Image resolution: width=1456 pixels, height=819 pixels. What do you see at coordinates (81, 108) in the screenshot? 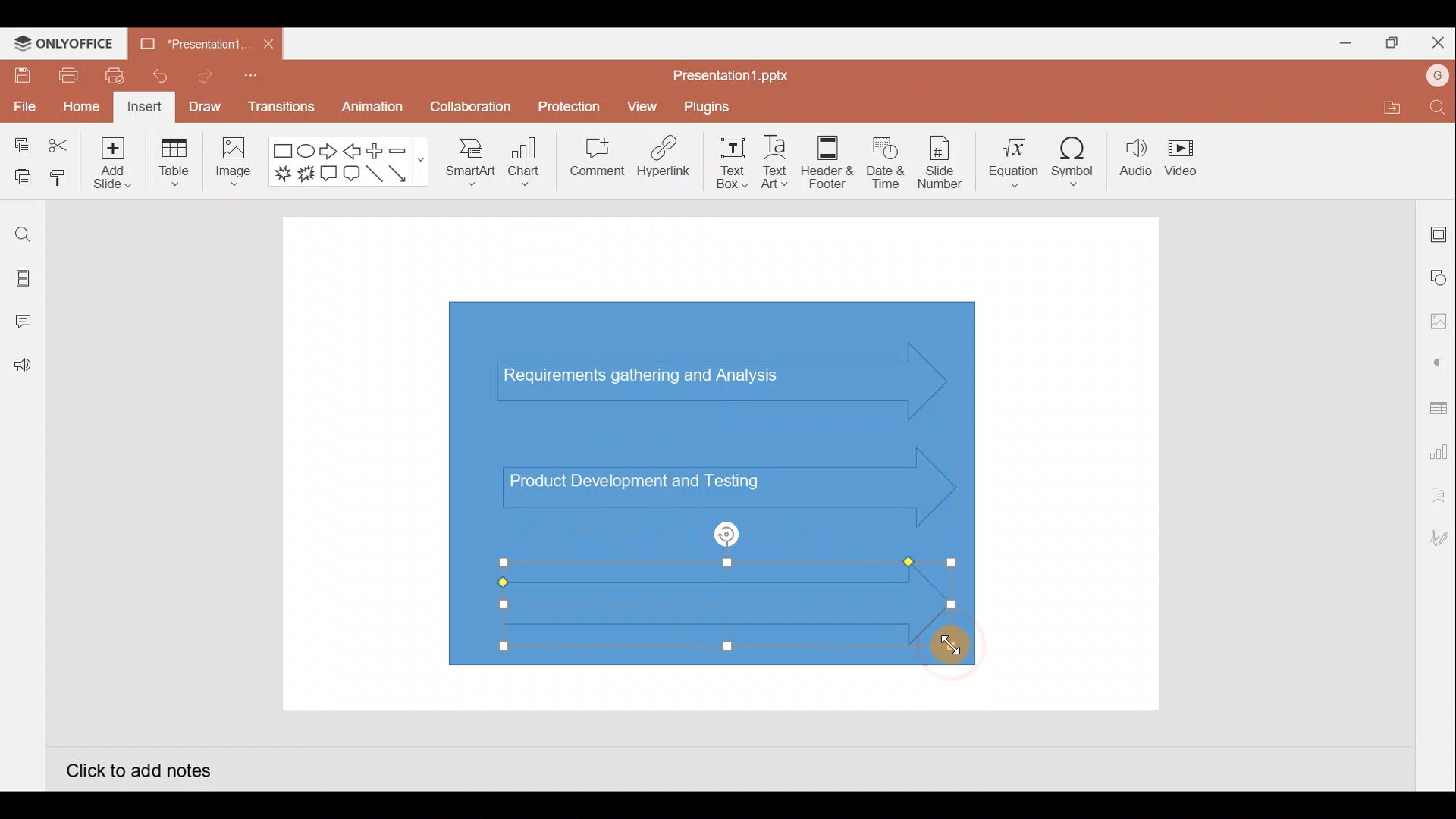
I see `Home` at bounding box center [81, 108].